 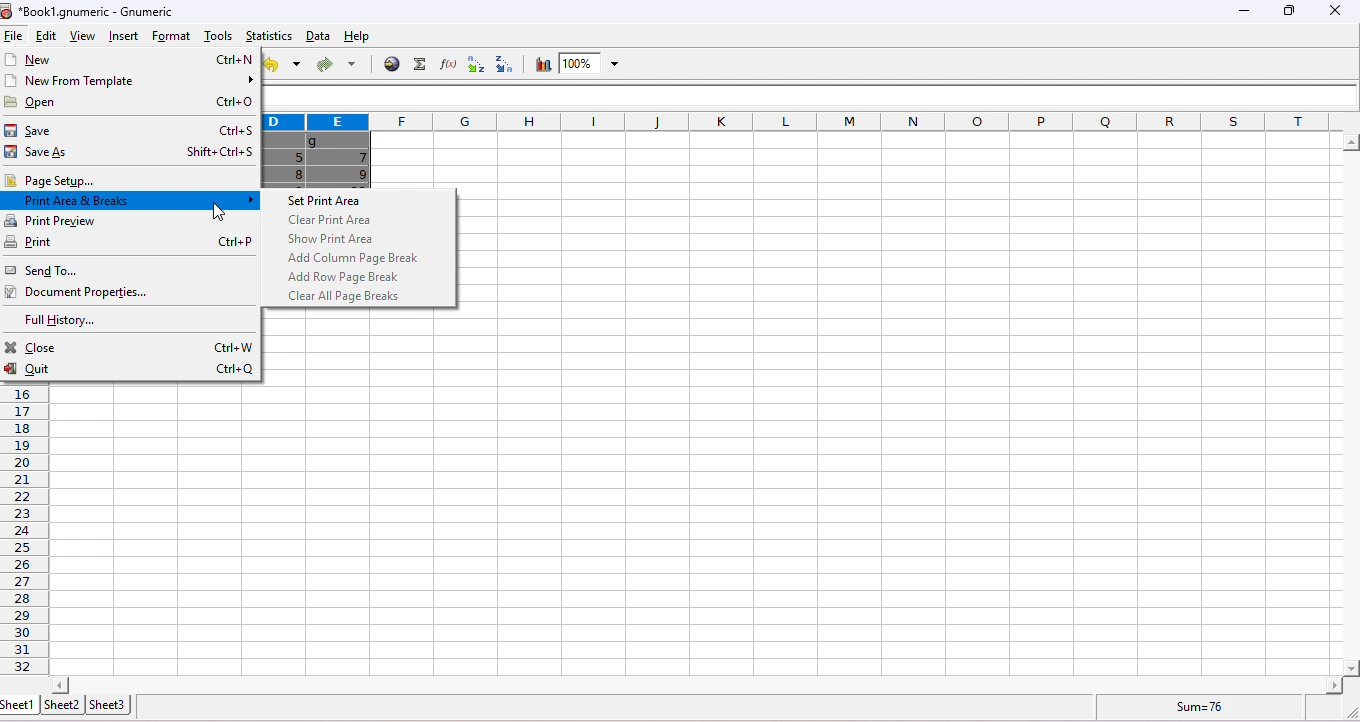 I want to click on row numbers, so click(x=26, y=532).